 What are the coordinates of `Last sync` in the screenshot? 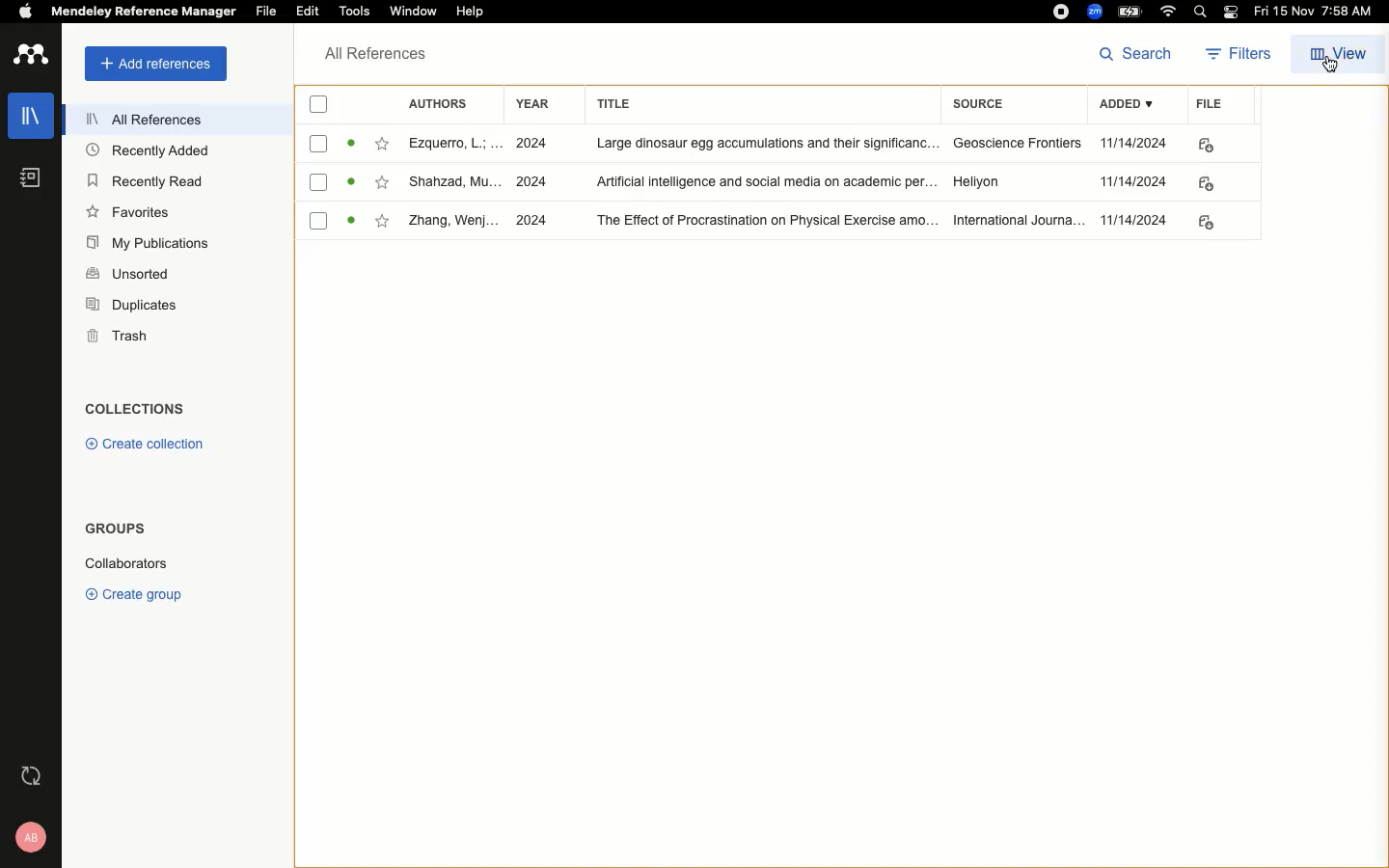 It's located at (29, 776).